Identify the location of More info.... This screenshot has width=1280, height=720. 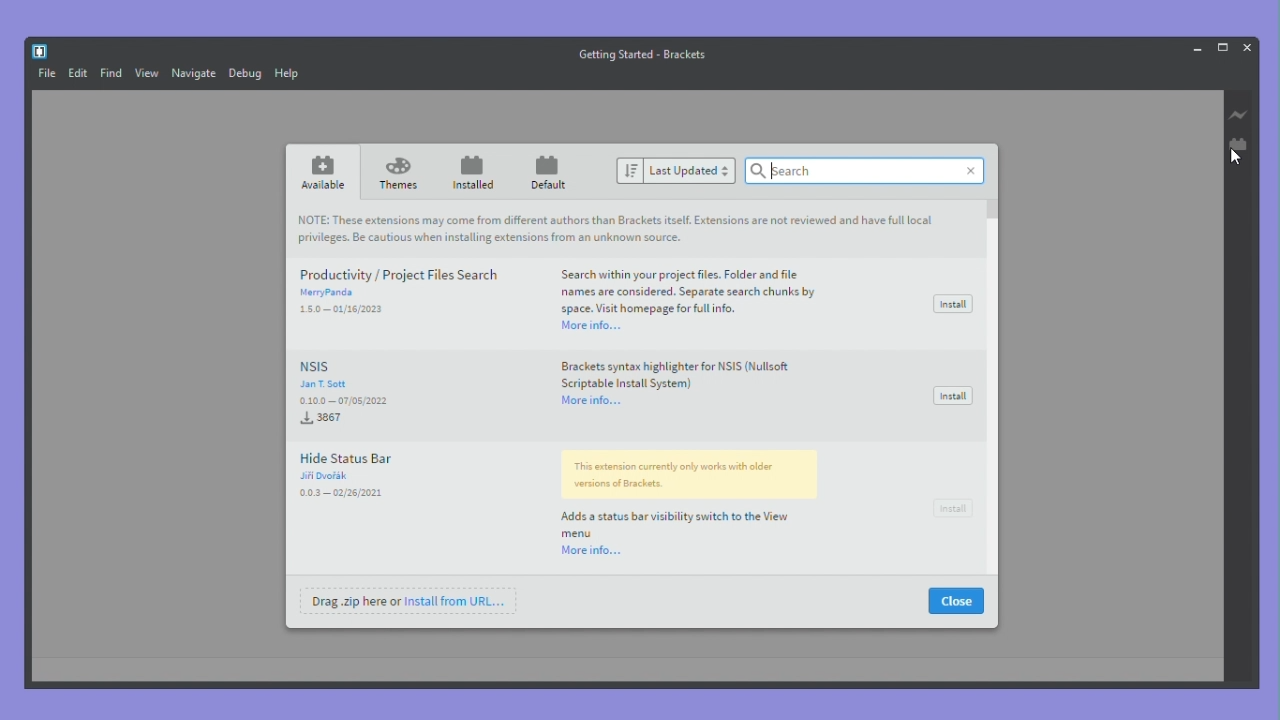
(590, 551).